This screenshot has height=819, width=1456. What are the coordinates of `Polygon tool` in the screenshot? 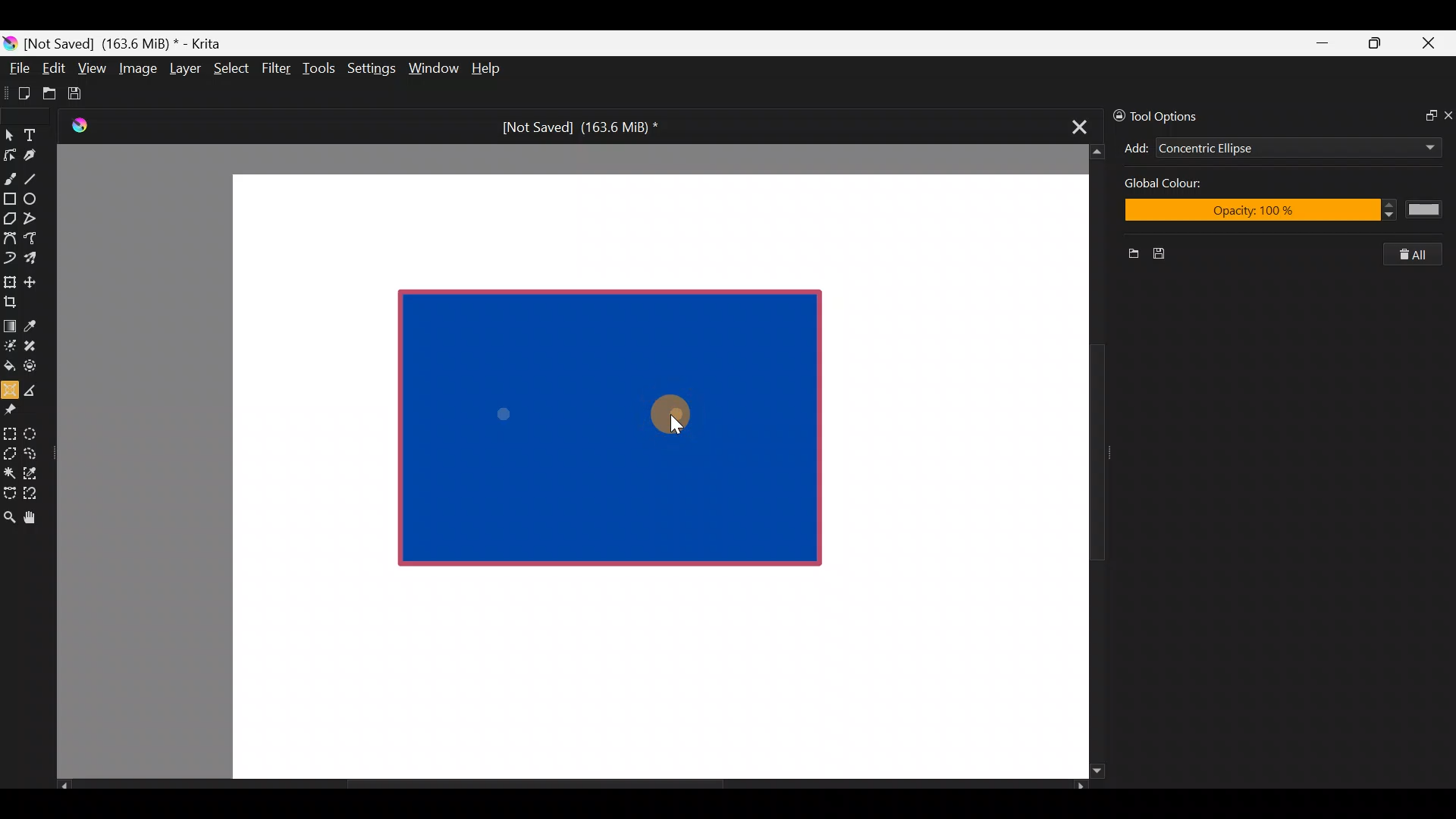 It's located at (9, 219).